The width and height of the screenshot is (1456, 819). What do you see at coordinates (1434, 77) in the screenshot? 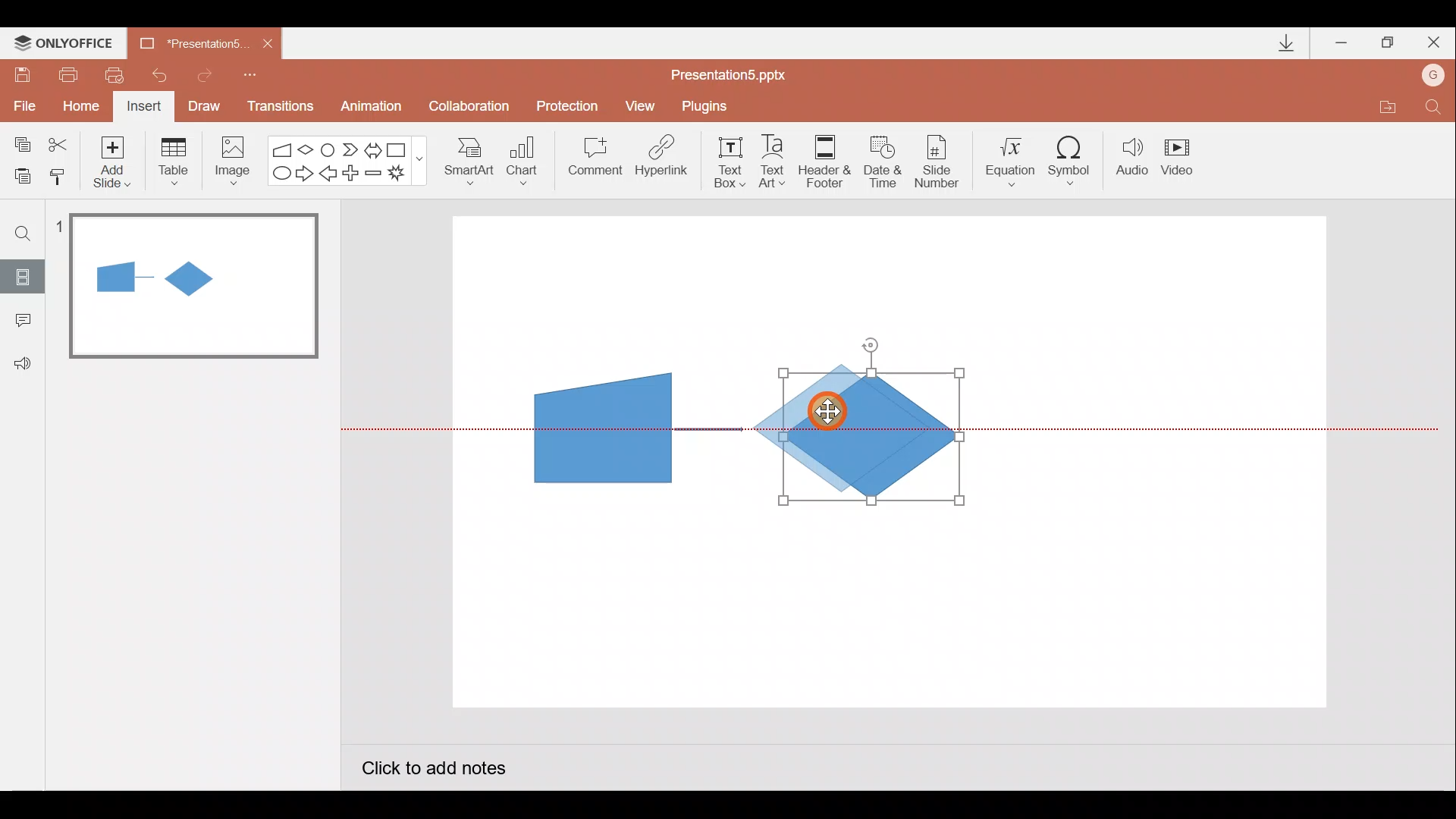
I see `Account name` at bounding box center [1434, 77].